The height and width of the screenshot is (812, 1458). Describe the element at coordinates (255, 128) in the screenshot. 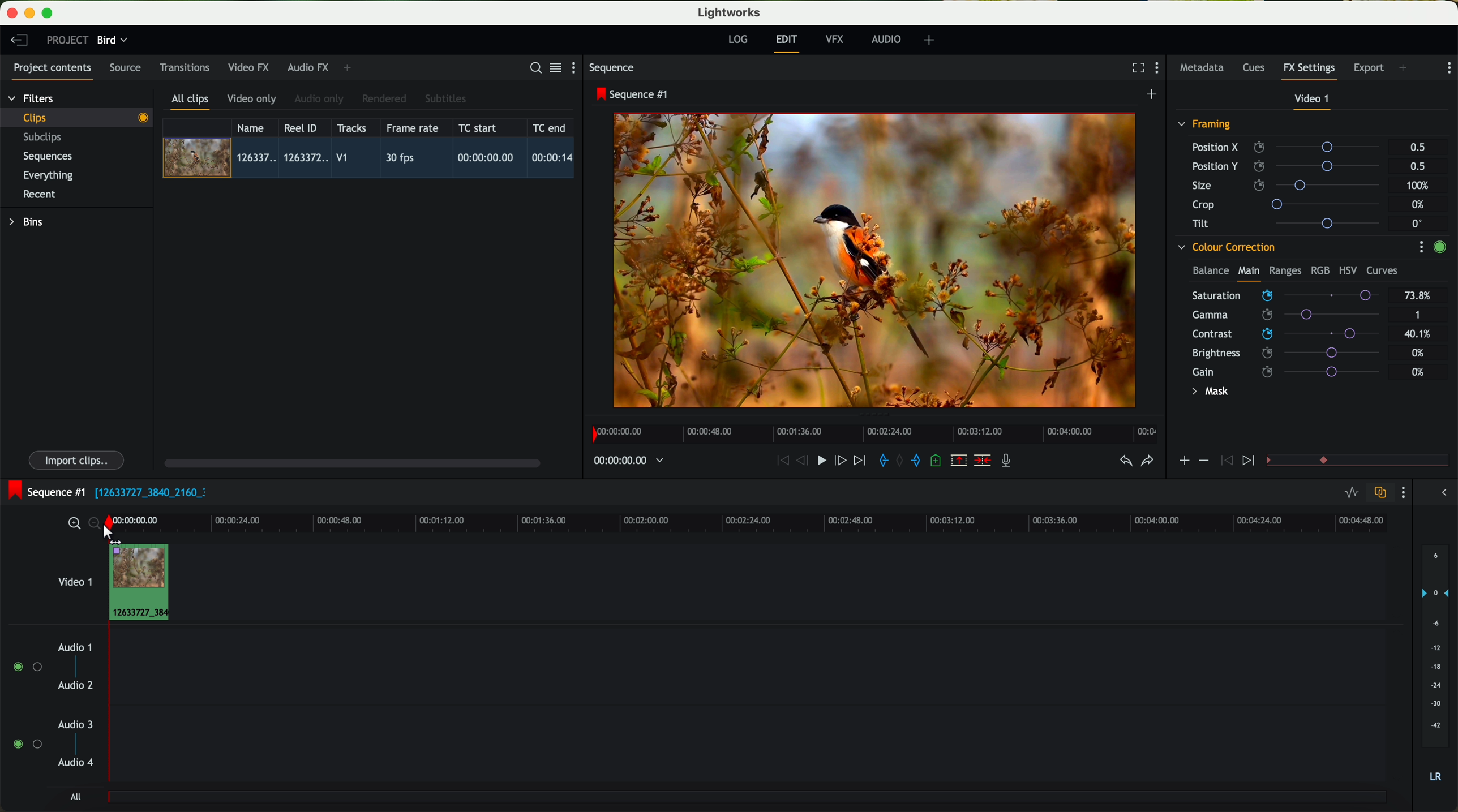

I see `name` at that location.